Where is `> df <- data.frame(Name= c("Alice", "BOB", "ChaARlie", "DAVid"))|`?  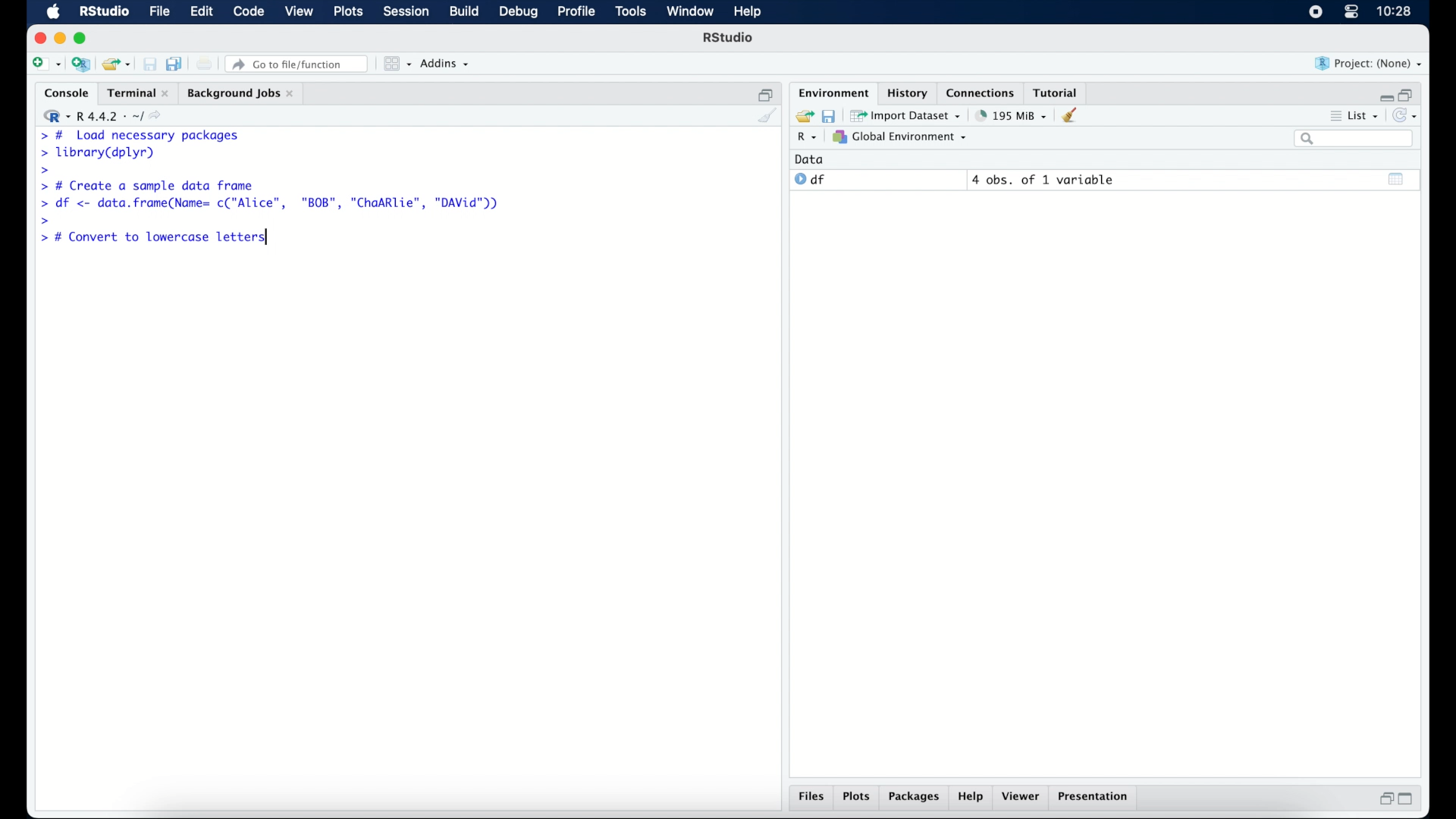
> df <- data.frame(Name= c("Alice", "BOB", "ChaARlie", "DAVid"))| is located at coordinates (274, 204).